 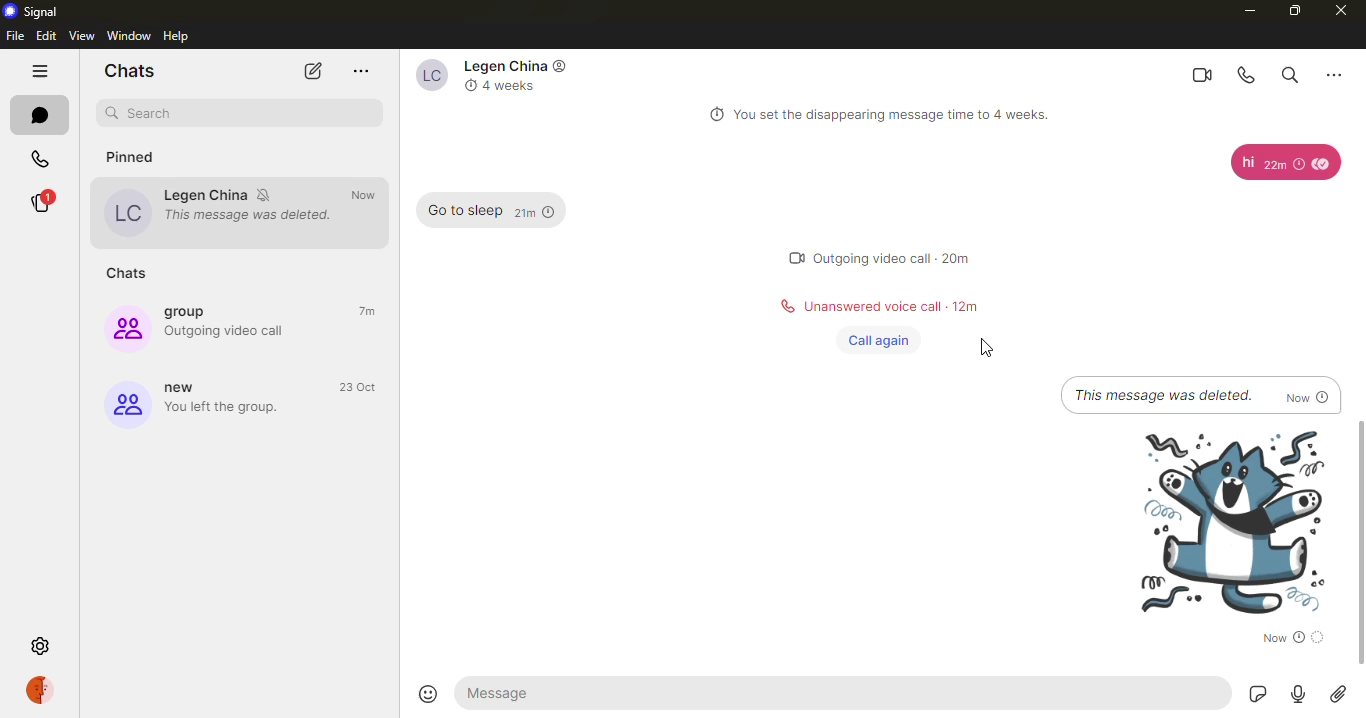 I want to click on close, so click(x=1342, y=13).